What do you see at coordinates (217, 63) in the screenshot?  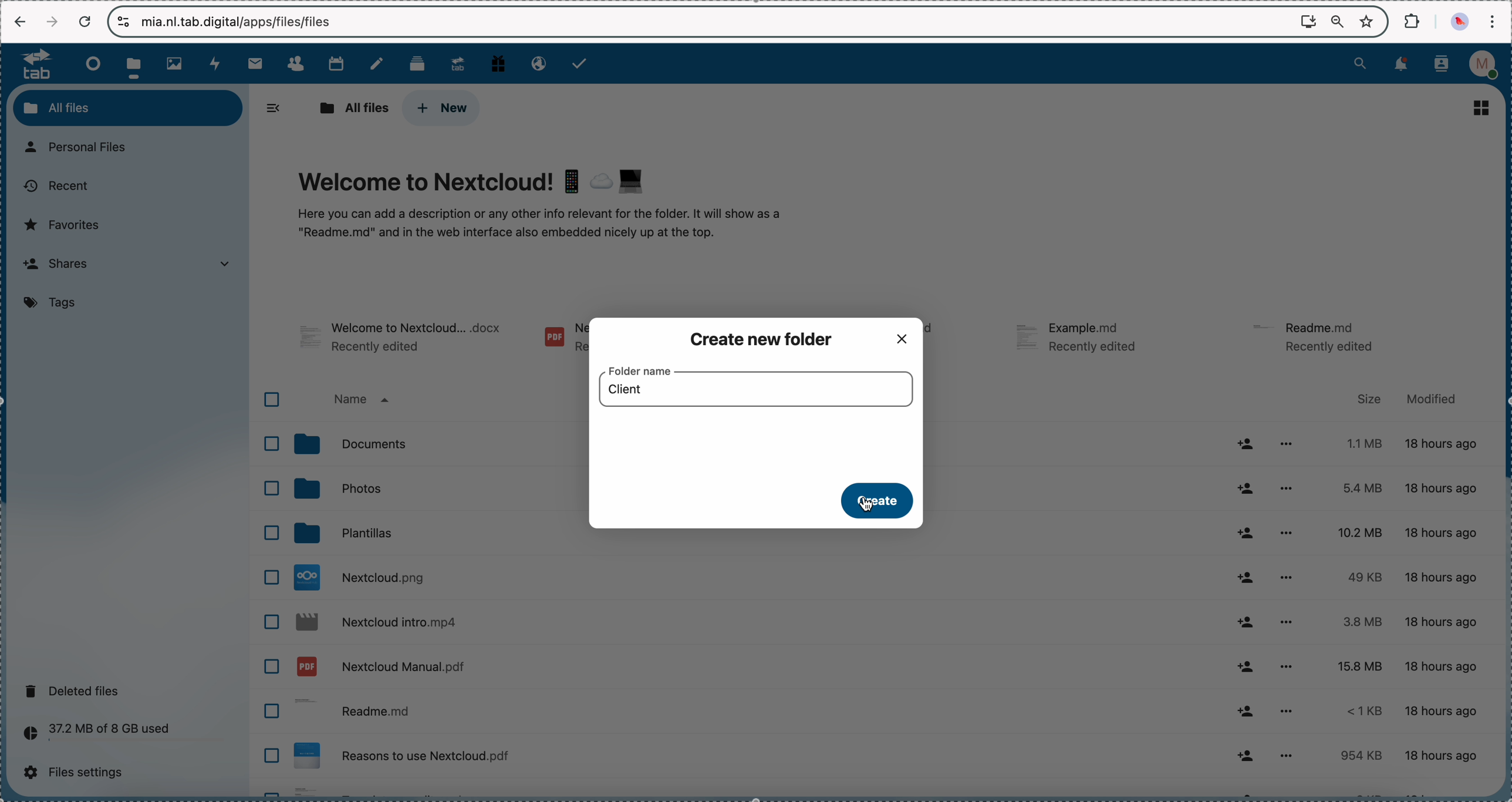 I see `activity` at bounding box center [217, 63].